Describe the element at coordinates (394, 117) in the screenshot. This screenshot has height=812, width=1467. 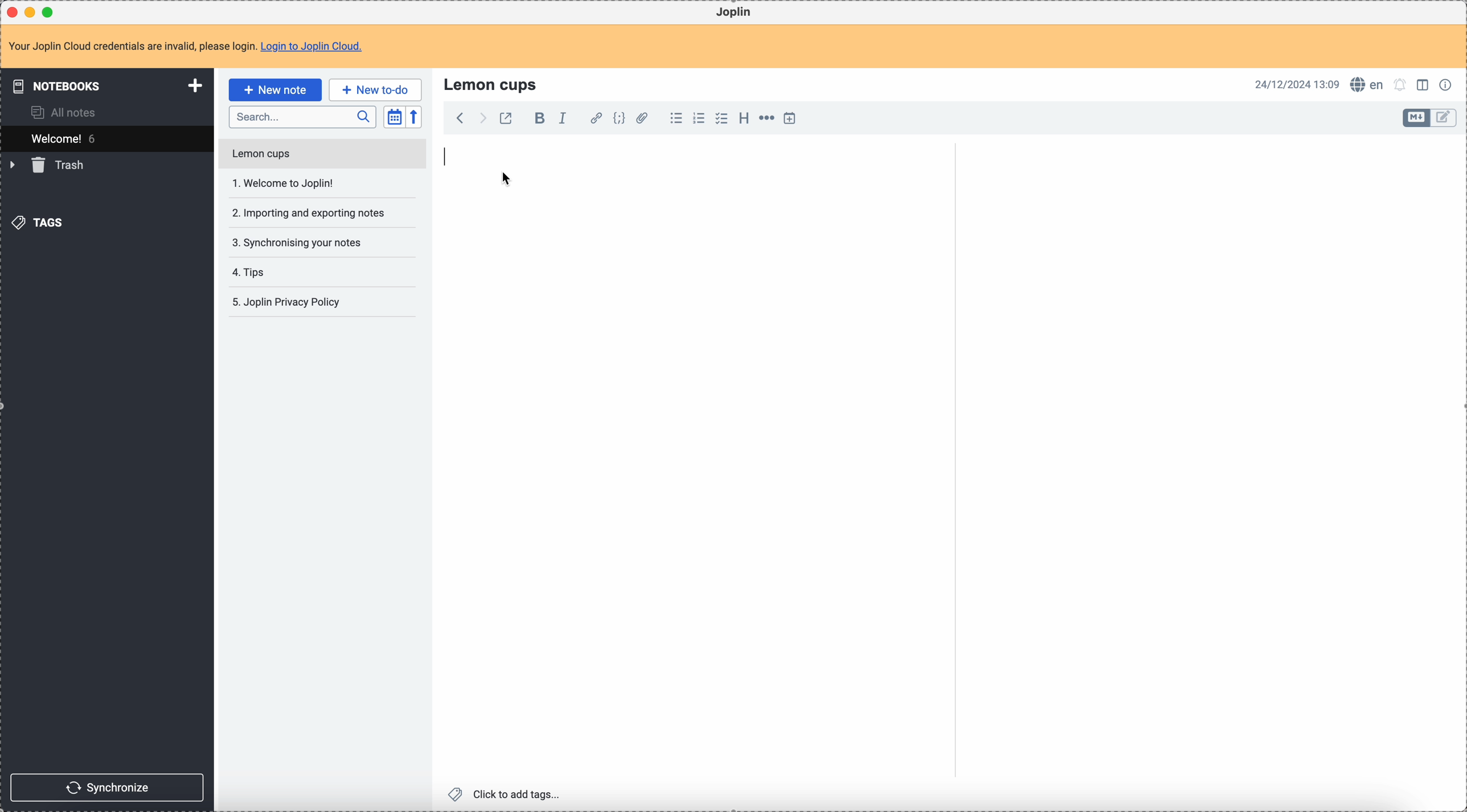
I see `toggle sort order field` at that location.